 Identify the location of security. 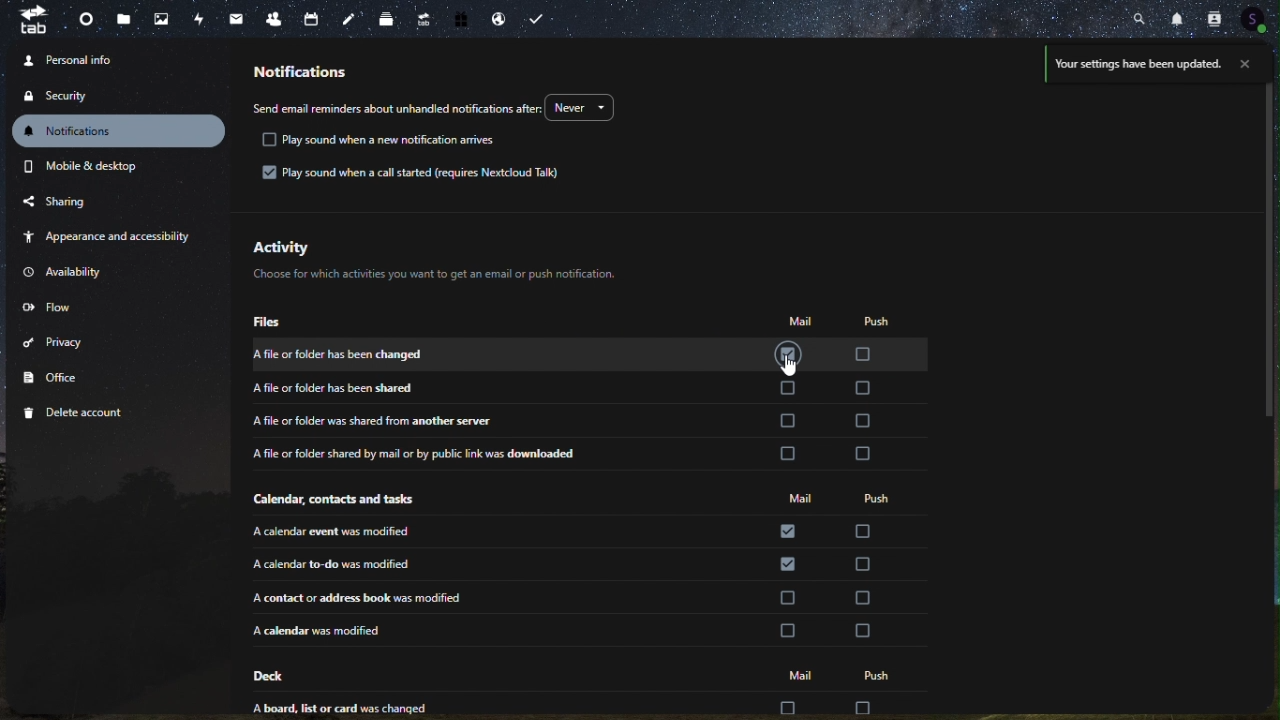
(95, 95).